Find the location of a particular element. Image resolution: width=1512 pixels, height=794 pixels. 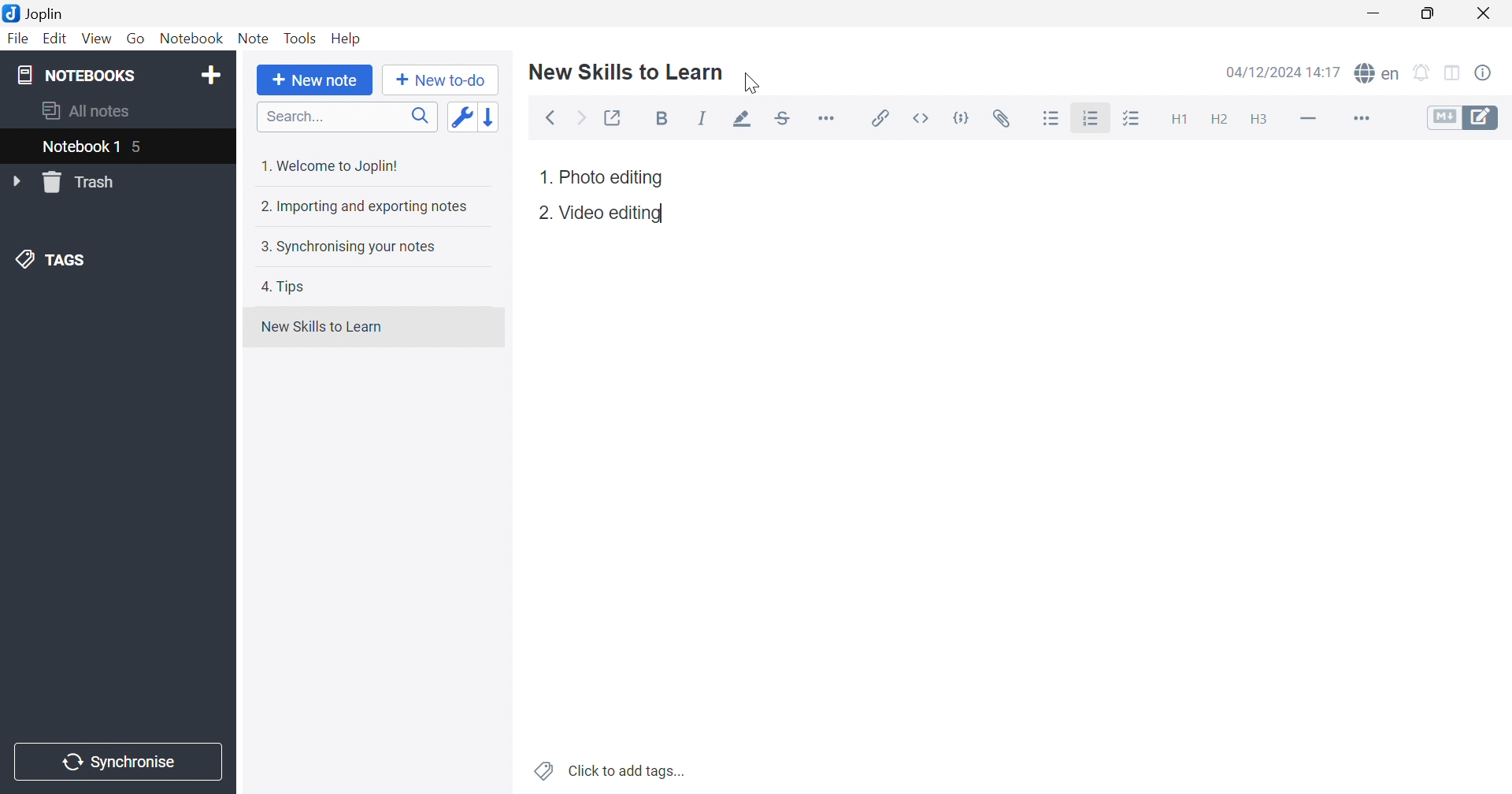

New note is located at coordinates (315, 80).